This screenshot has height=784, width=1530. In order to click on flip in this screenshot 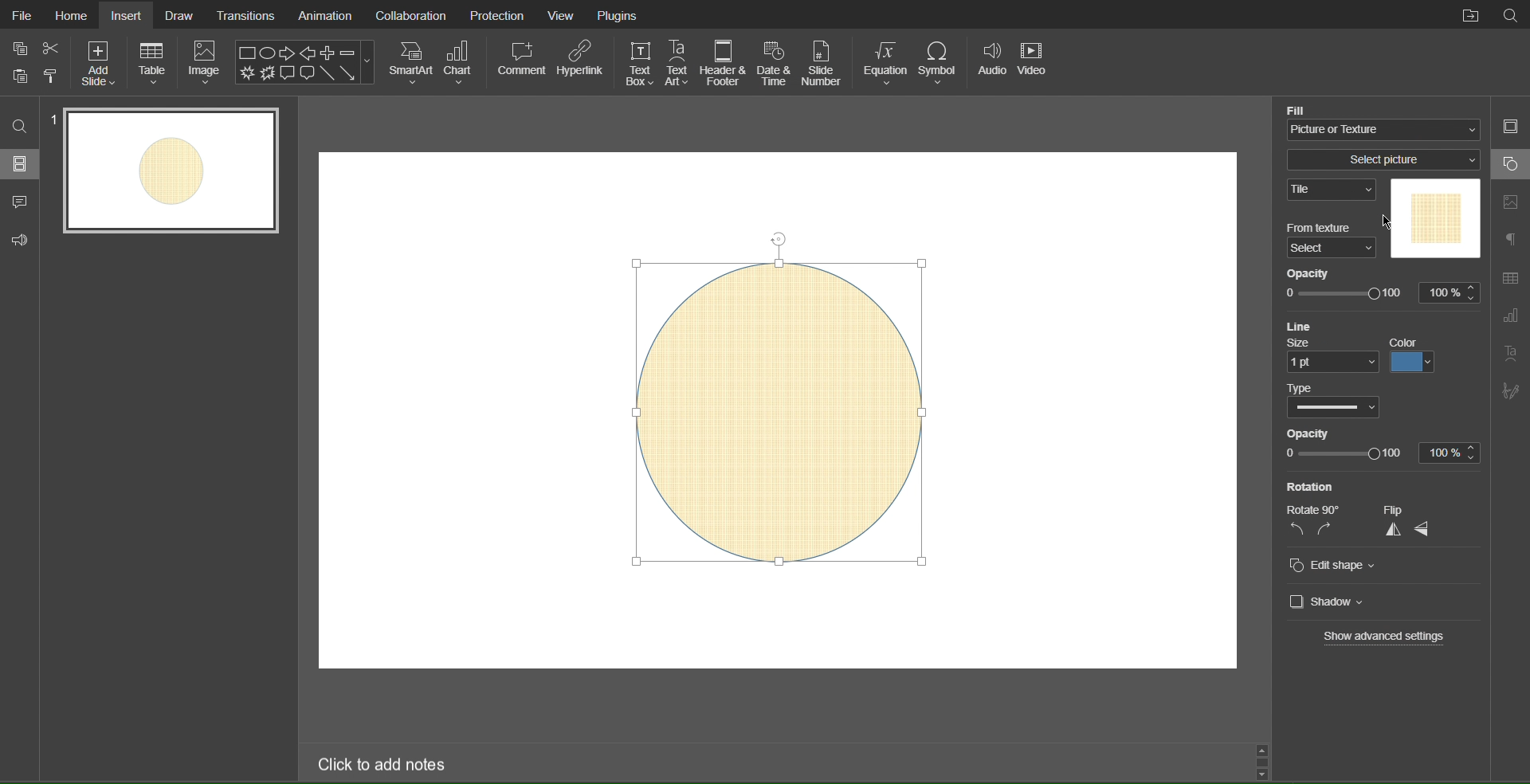, I will do `click(1412, 506)`.